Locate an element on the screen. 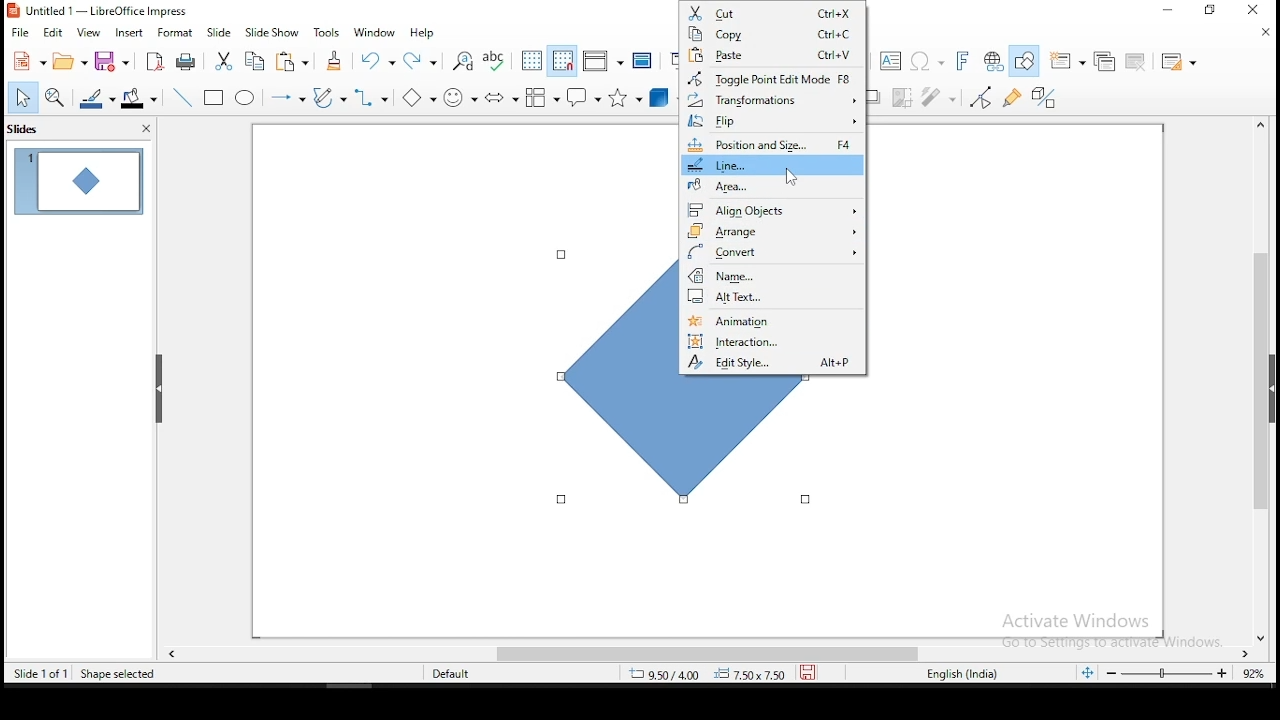 This screenshot has width=1280, height=720. 92% is located at coordinates (1258, 673).